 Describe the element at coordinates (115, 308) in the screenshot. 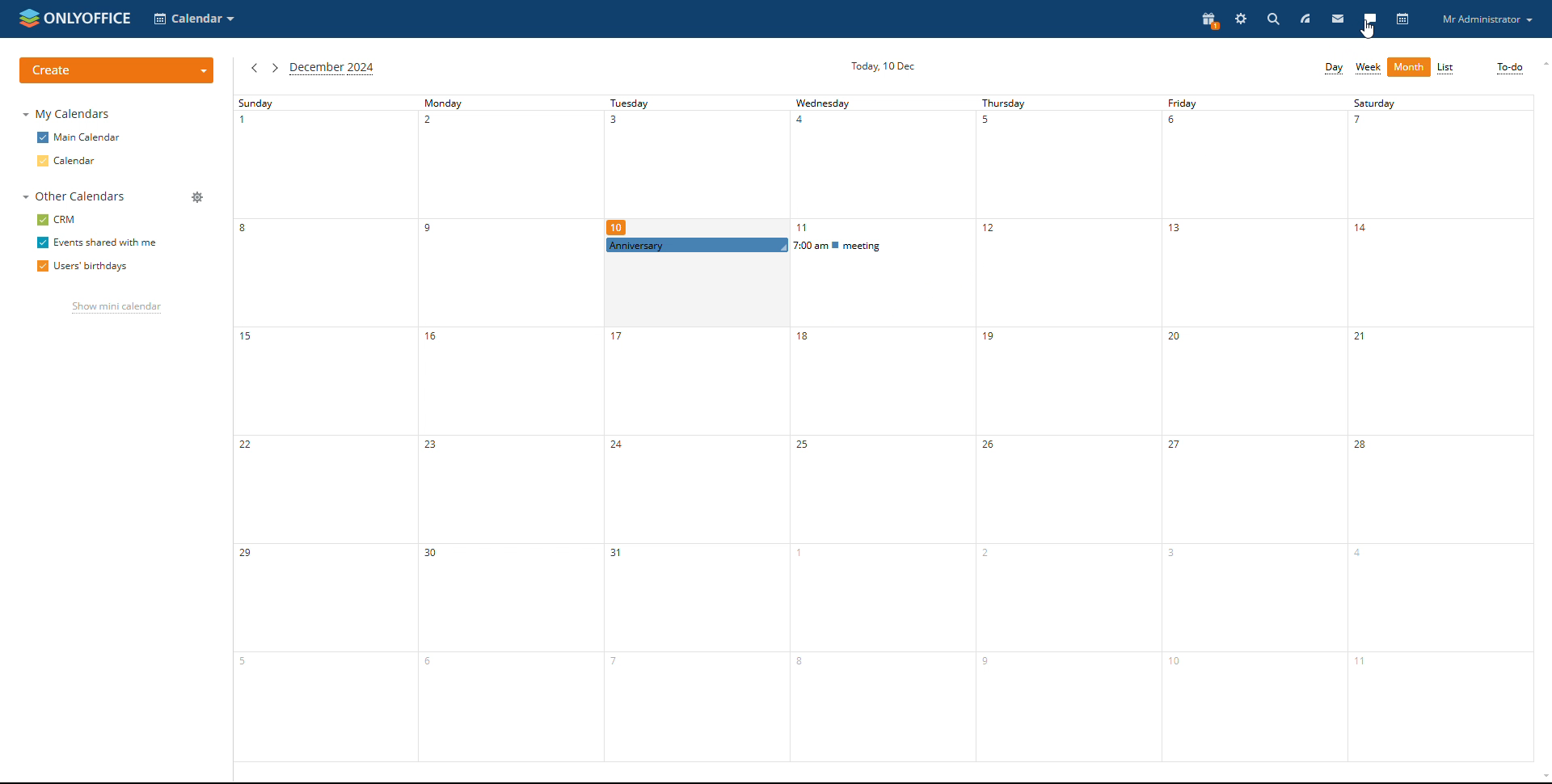

I see `show mini calendar` at that location.